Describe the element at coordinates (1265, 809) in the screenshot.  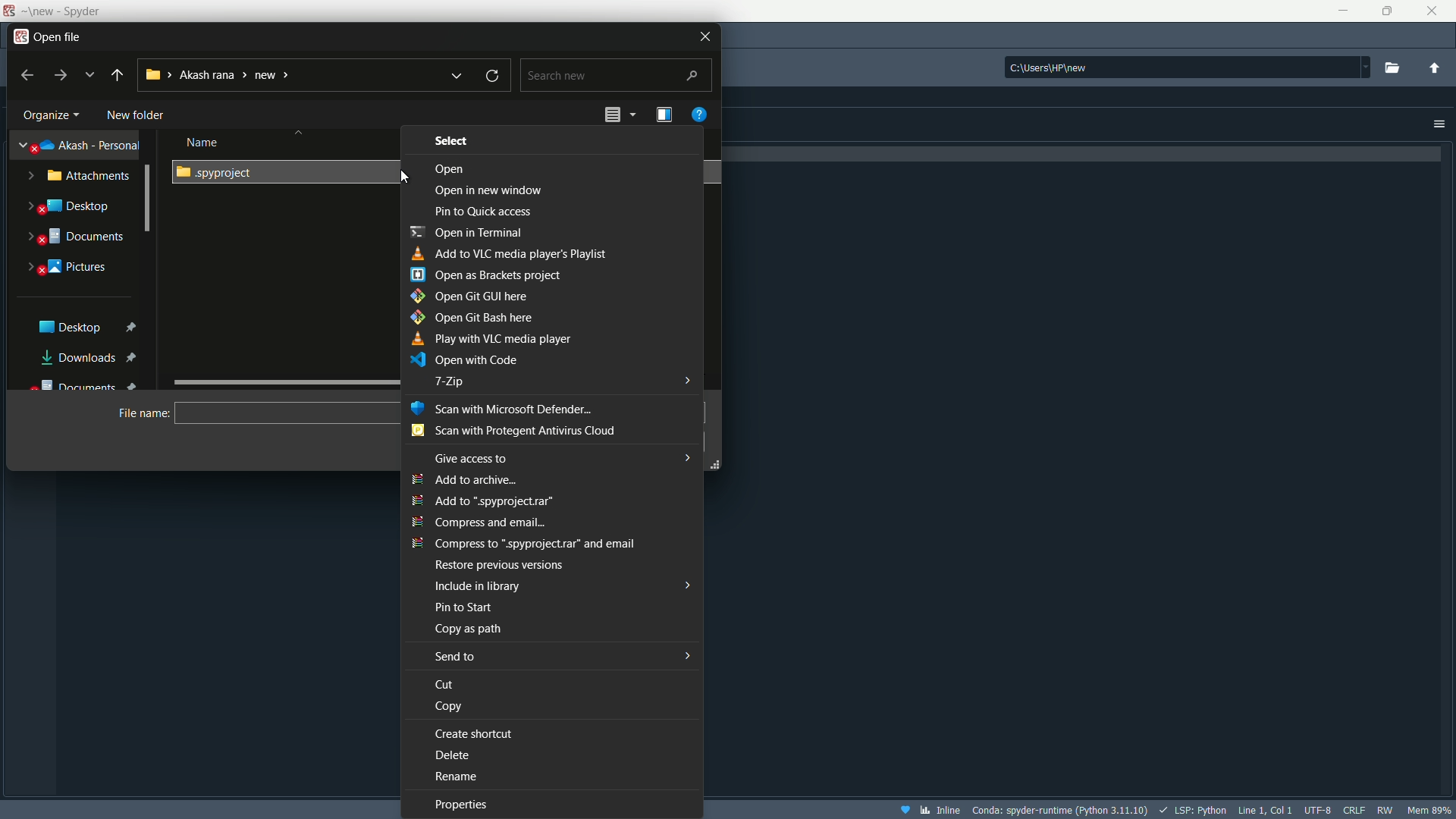
I see `cursor position` at that location.